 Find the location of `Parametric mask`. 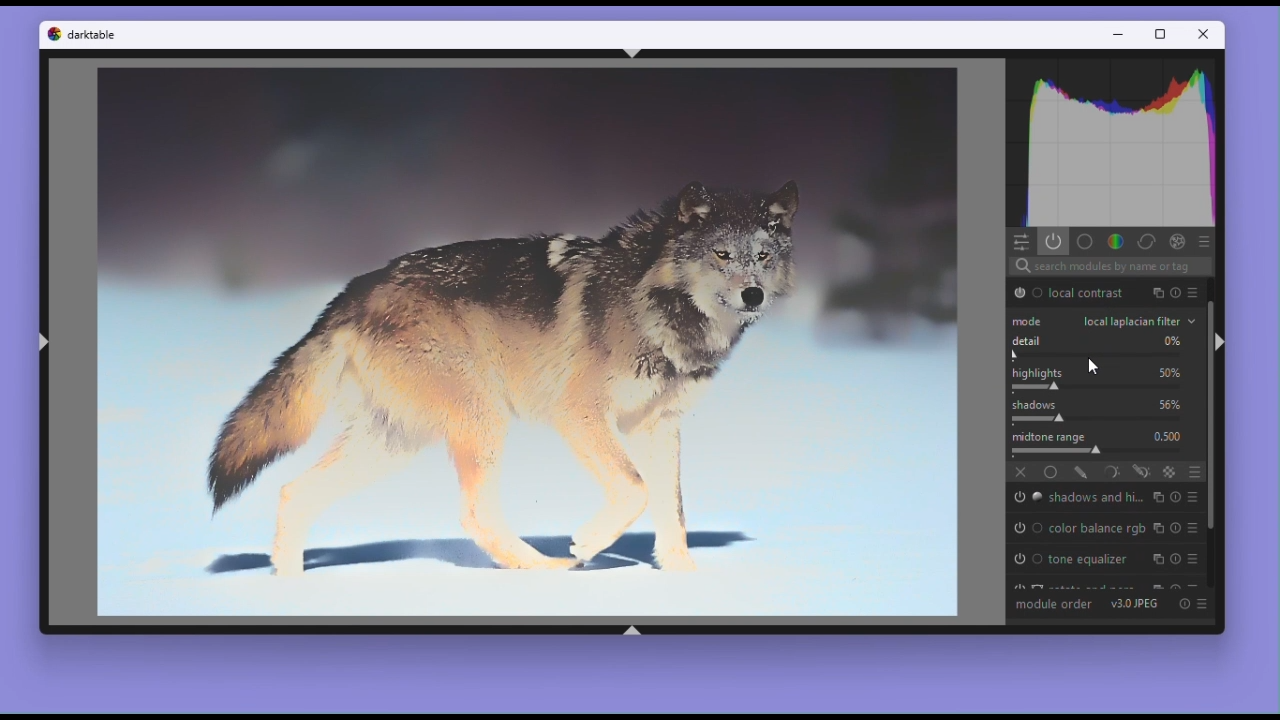

Parametric mask is located at coordinates (1110, 473).